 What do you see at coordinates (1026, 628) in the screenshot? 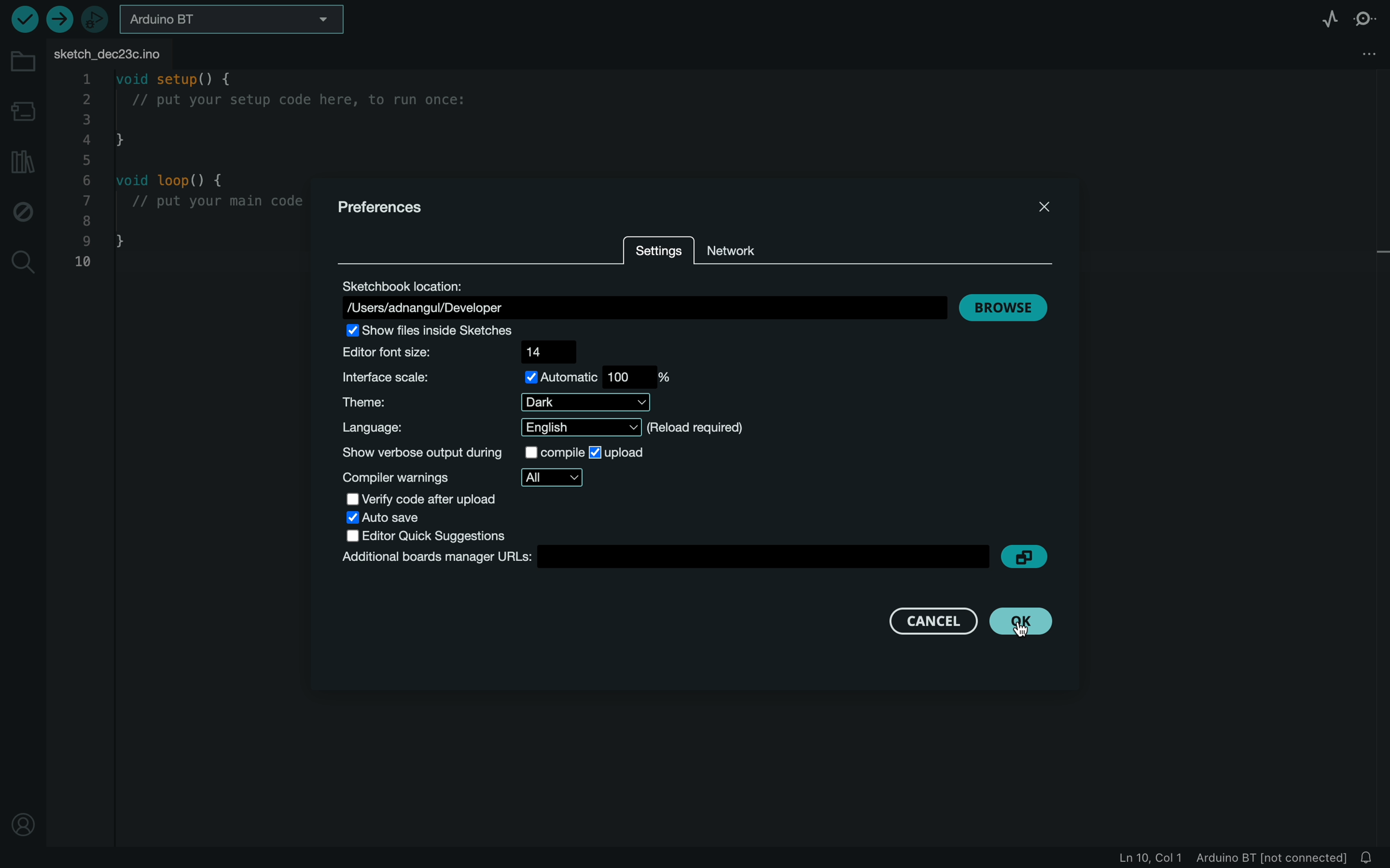
I see `cursor` at bounding box center [1026, 628].